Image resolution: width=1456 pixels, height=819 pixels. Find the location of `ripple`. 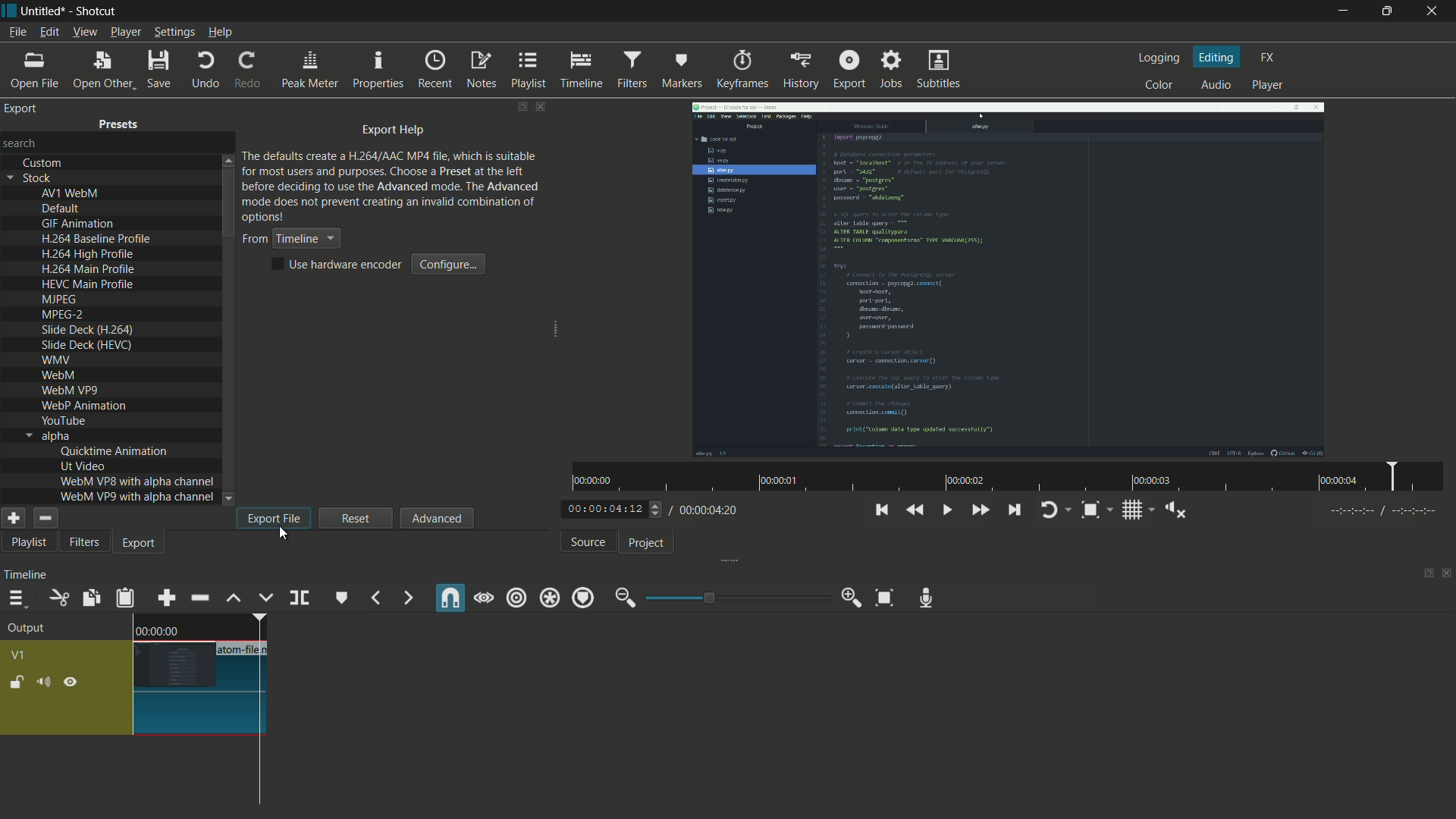

ripple is located at coordinates (516, 598).